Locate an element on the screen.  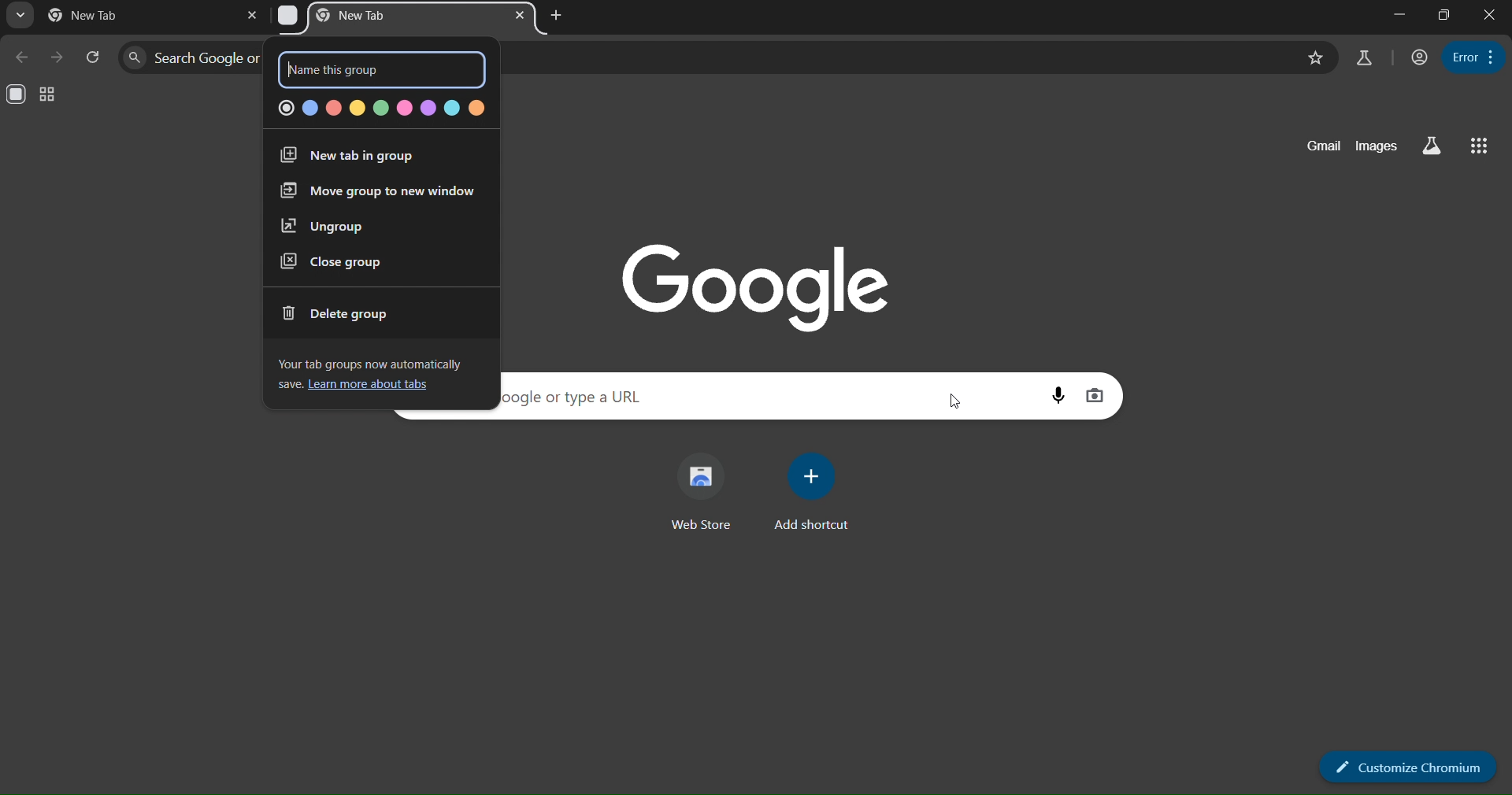
minimize is located at coordinates (1400, 14).